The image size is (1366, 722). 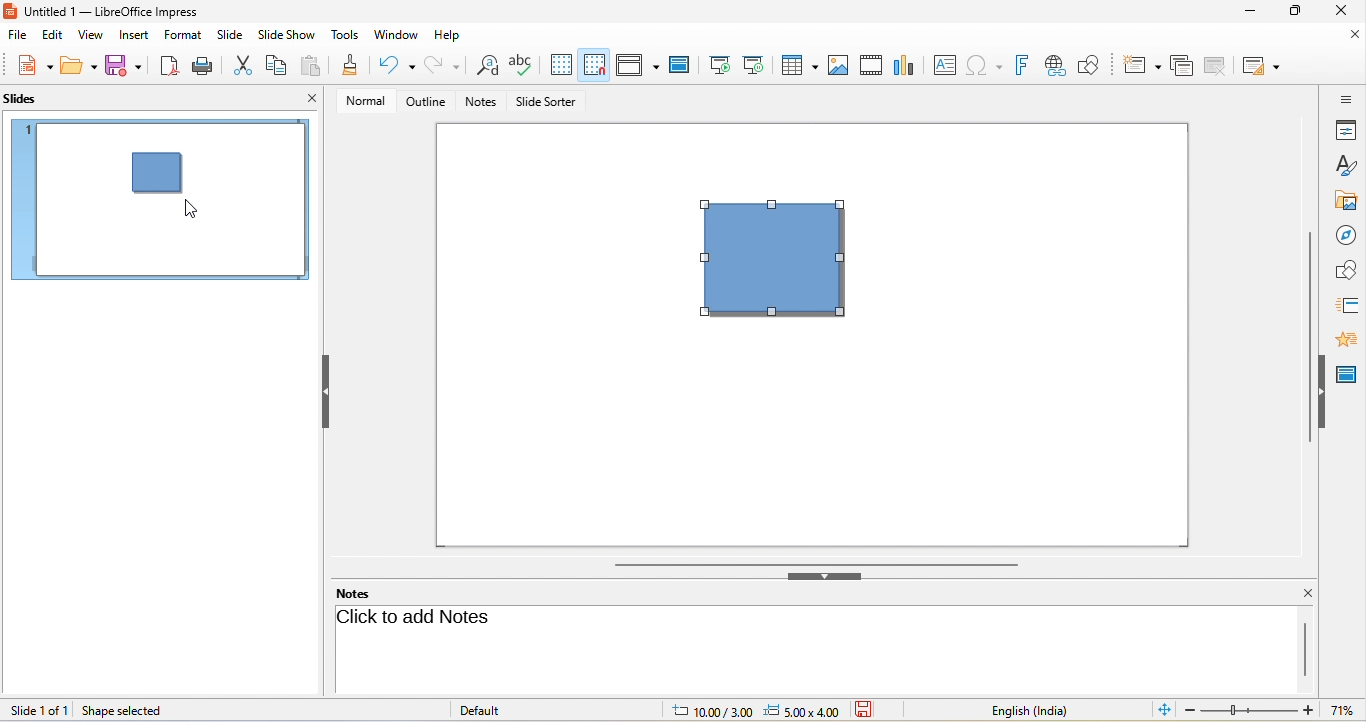 What do you see at coordinates (1142, 66) in the screenshot?
I see `new slide` at bounding box center [1142, 66].